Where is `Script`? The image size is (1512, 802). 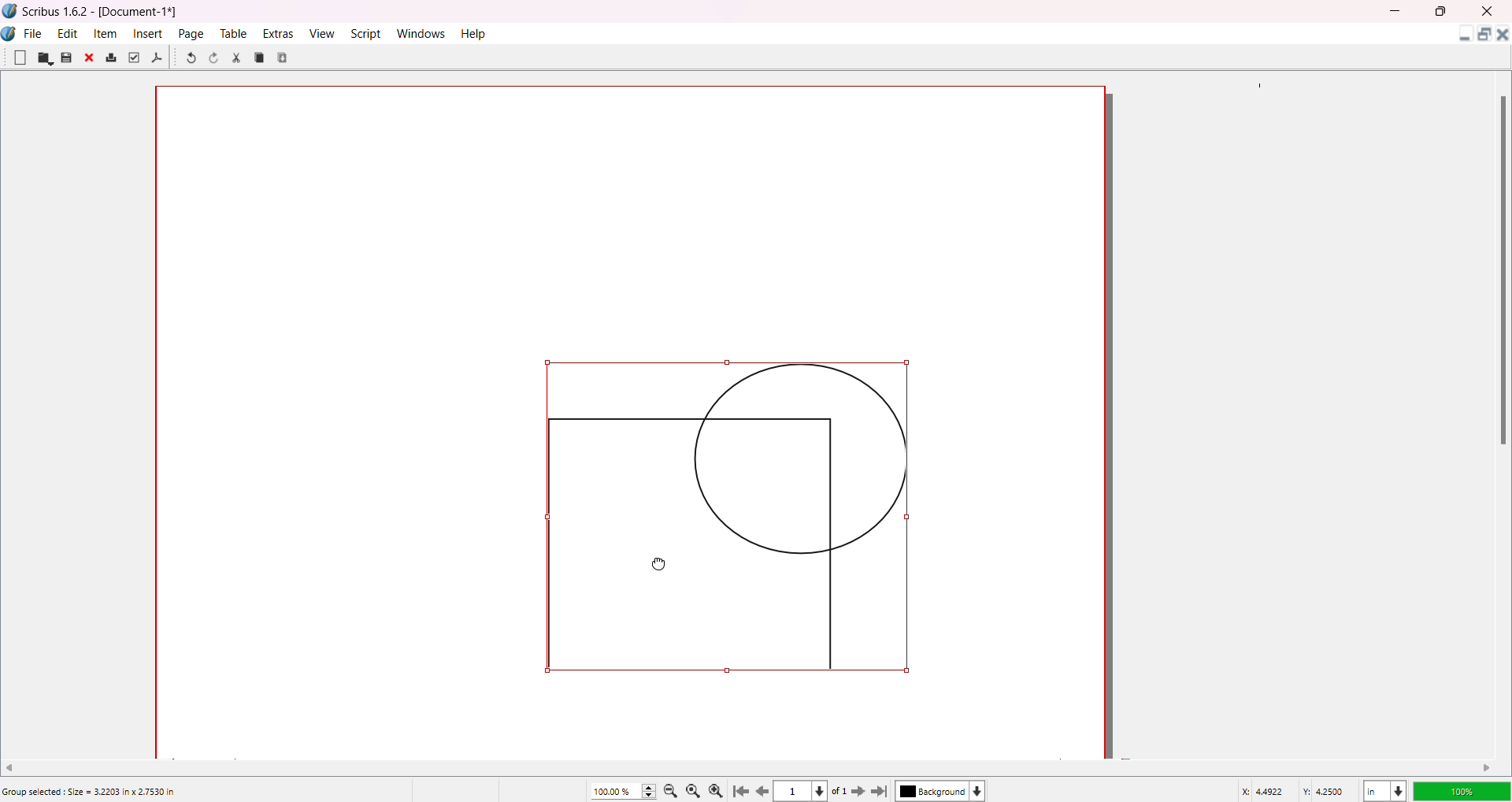
Script is located at coordinates (368, 32).